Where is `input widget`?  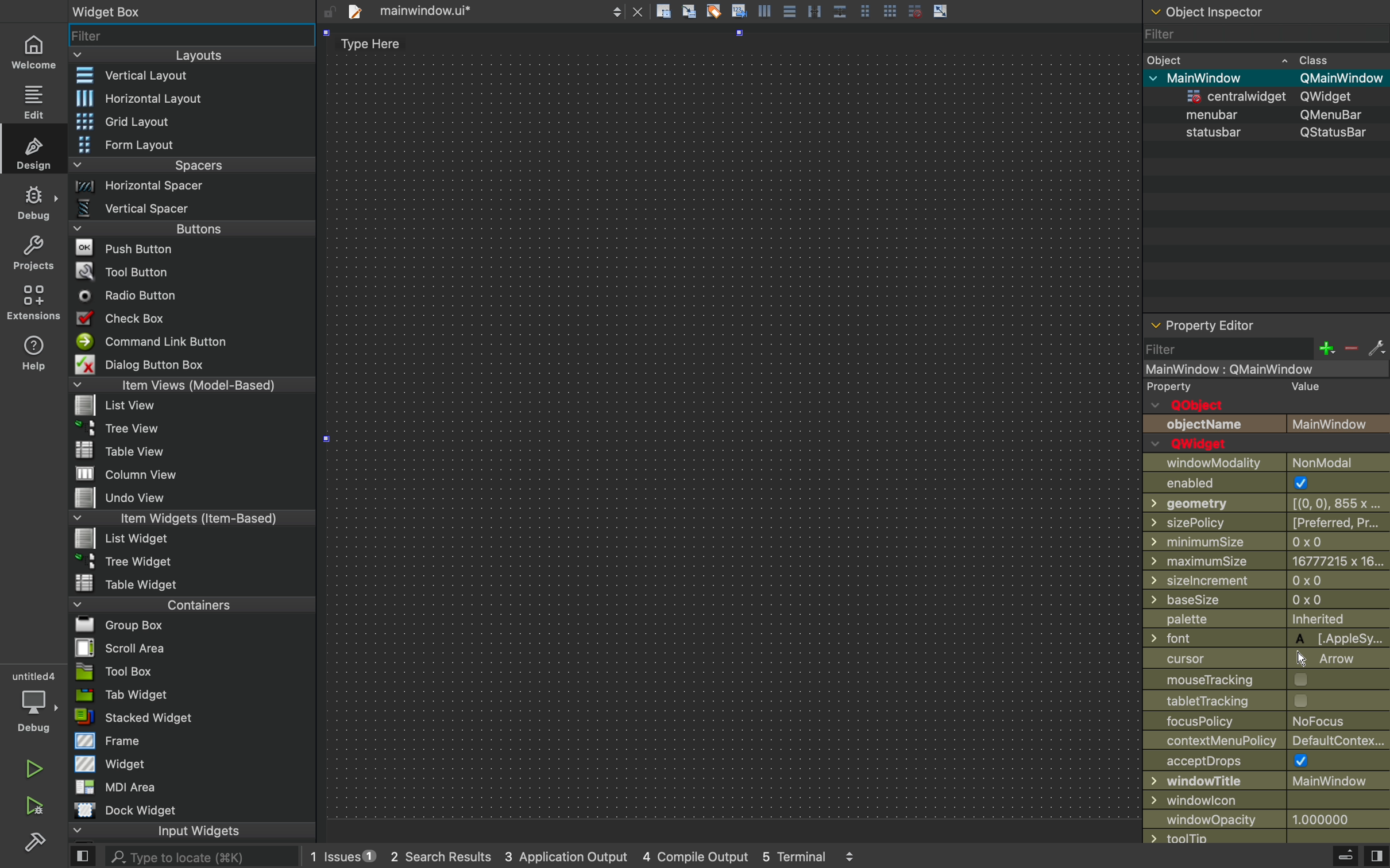 input widget is located at coordinates (186, 832).